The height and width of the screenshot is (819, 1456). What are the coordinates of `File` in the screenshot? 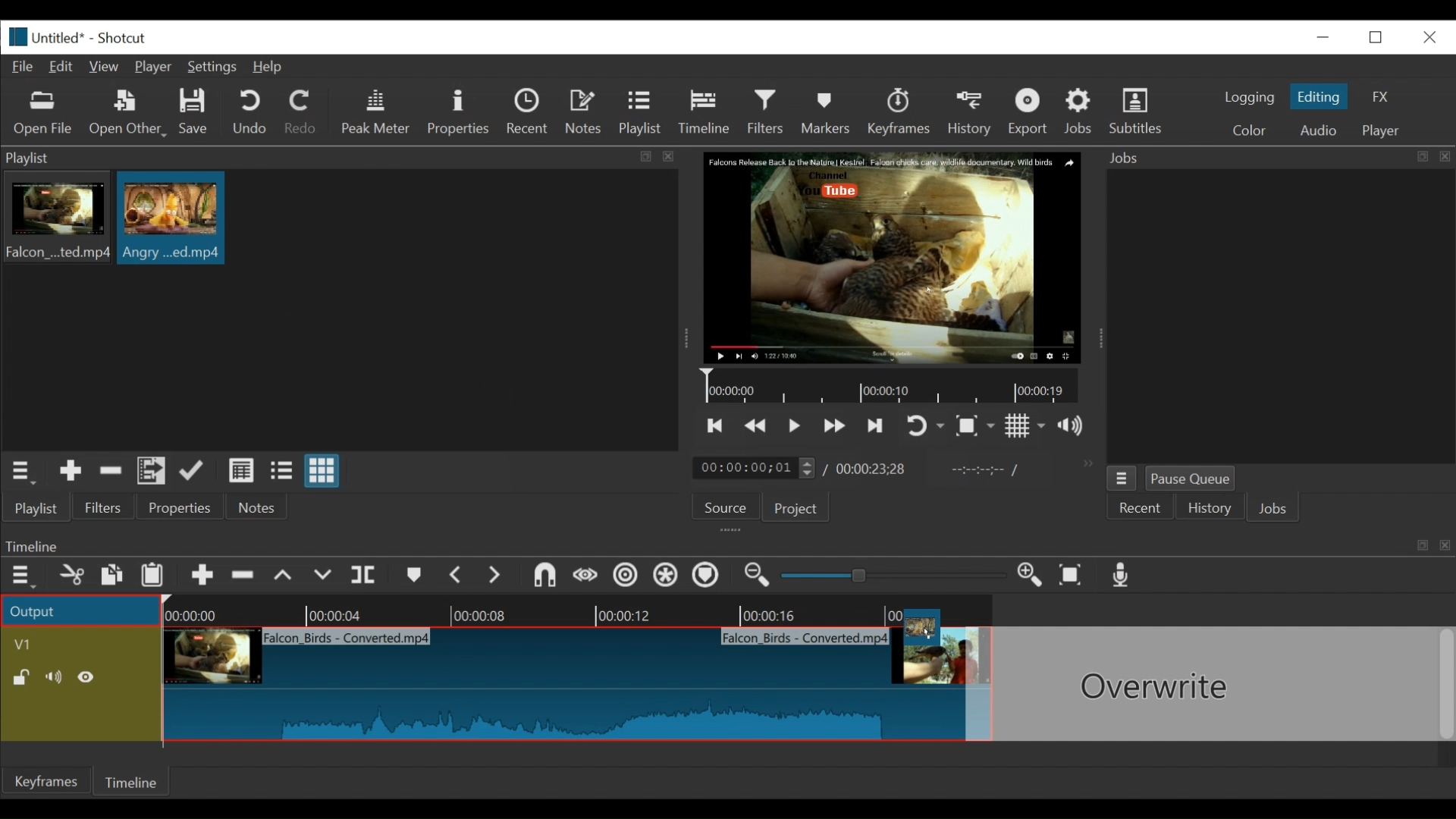 It's located at (26, 67).